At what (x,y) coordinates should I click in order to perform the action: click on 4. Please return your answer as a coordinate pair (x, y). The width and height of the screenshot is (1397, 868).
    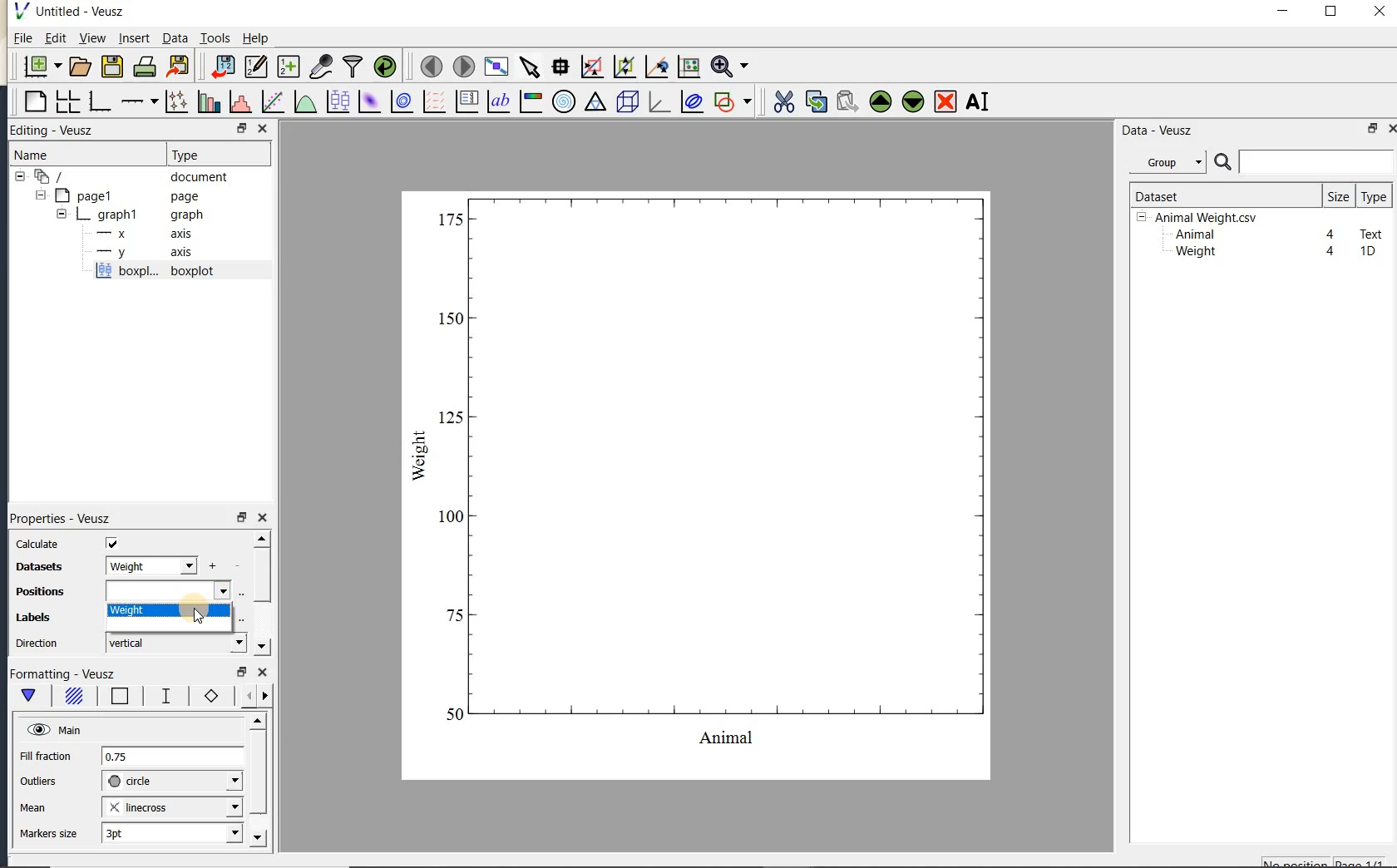
    Looking at the image, I should click on (1331, 235).